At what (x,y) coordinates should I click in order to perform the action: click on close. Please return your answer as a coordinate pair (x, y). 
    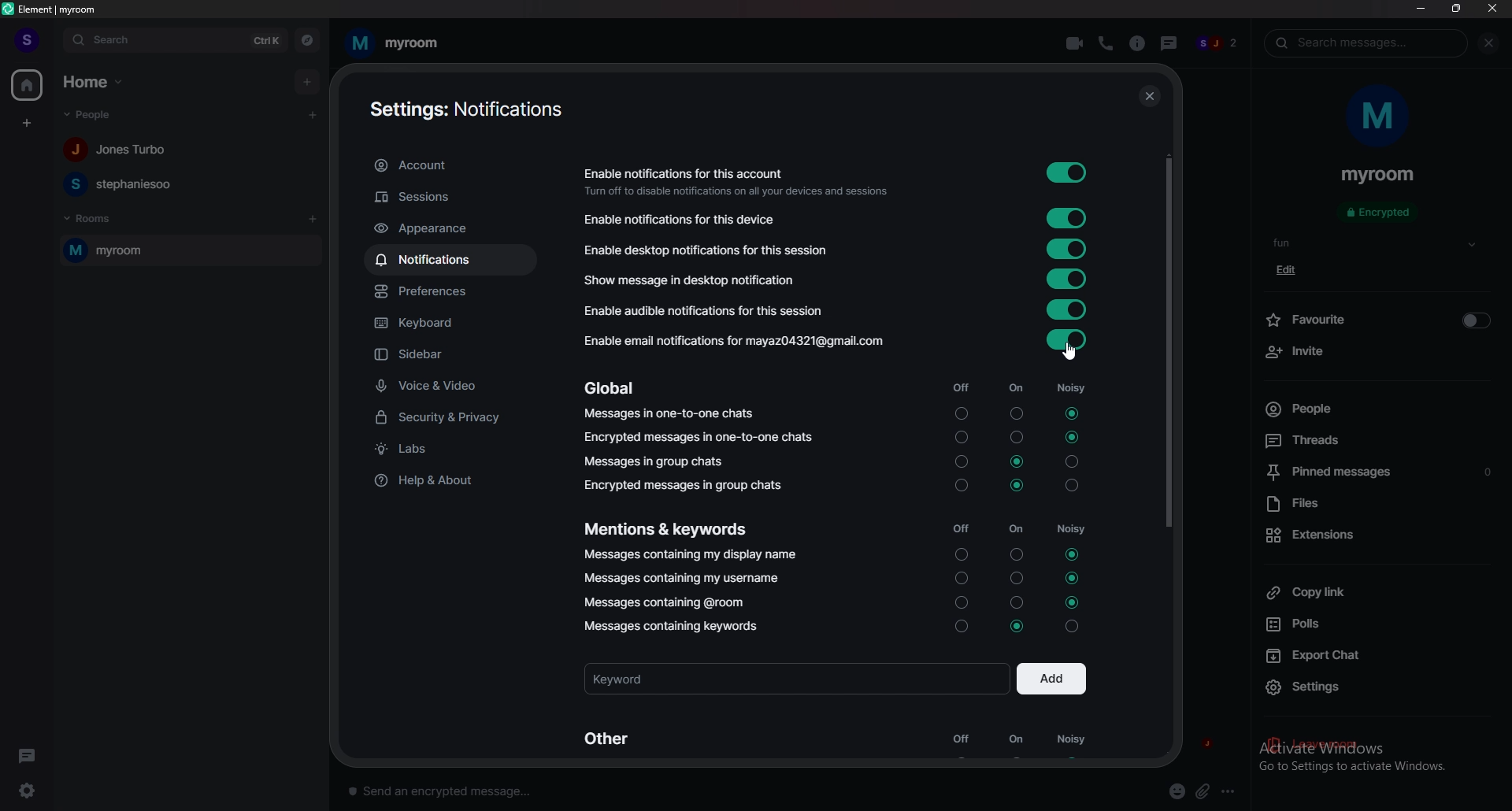
    Looking at the image, I should click on (1492, 8).